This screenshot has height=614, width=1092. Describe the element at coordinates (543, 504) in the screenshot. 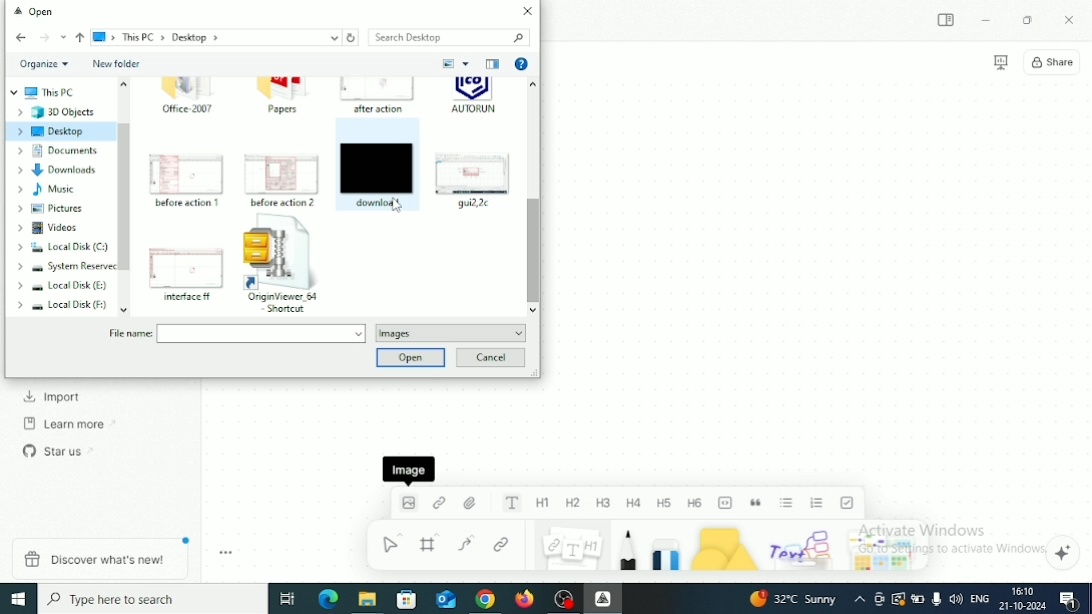

I see `Heading 1` at that location.